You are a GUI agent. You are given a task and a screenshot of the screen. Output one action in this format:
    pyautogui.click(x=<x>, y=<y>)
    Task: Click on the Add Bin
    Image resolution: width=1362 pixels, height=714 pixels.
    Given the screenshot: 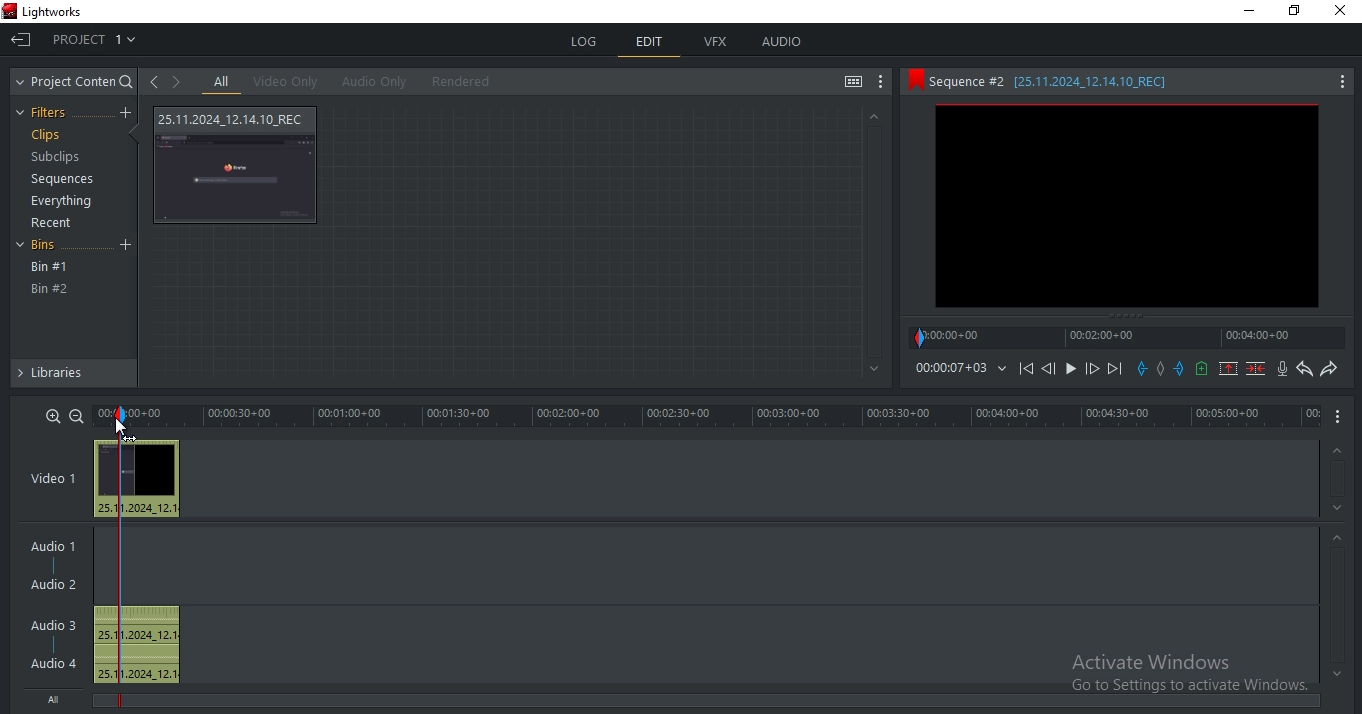 What is the action you would take?
    pyautogui.click(x=128, y=246)
    